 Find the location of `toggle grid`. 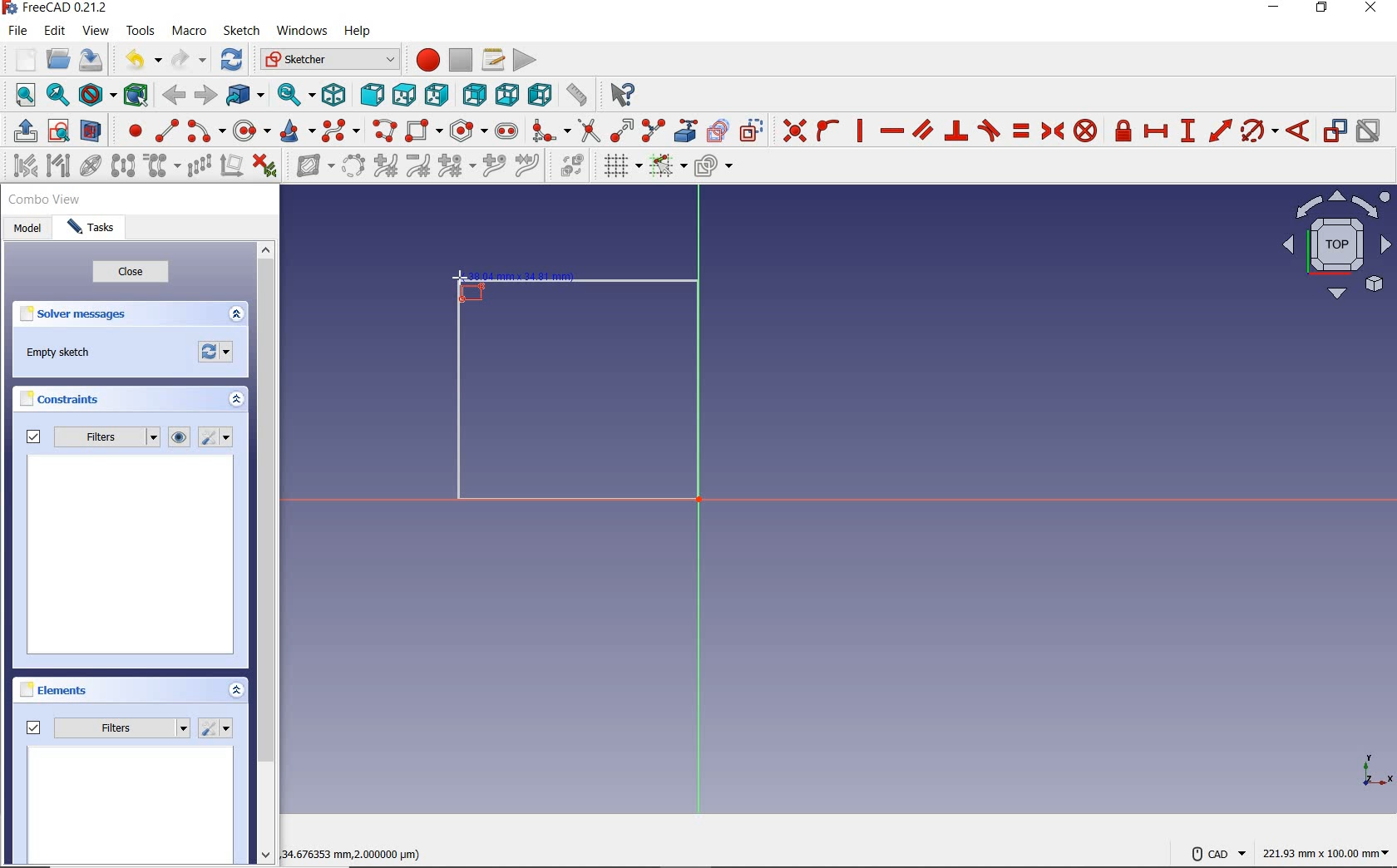

toggle grid is located at coordinates (619, 167).